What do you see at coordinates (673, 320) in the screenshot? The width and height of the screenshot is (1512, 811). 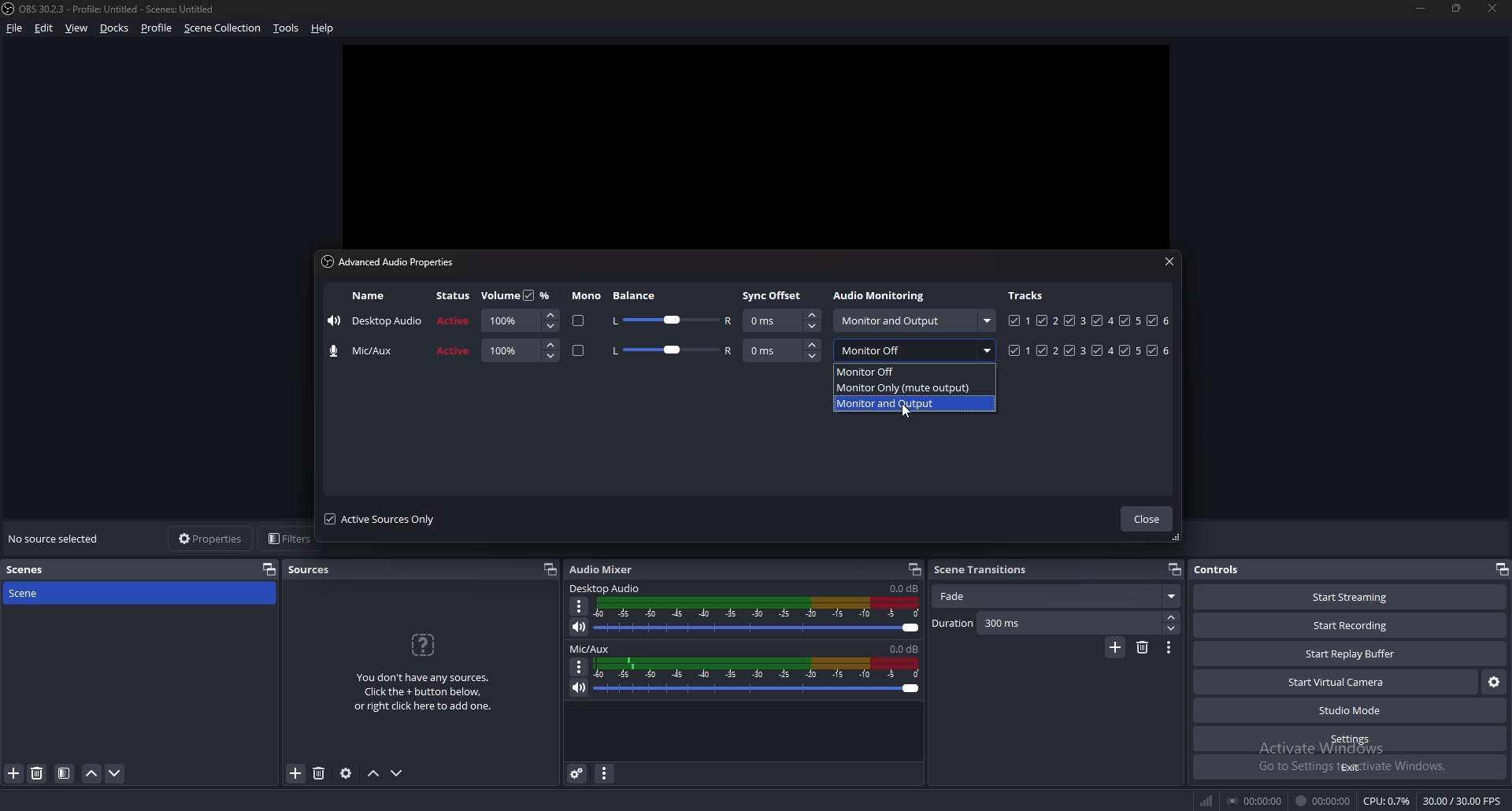 I see `balance adjust` at bounding box center [673, 320].